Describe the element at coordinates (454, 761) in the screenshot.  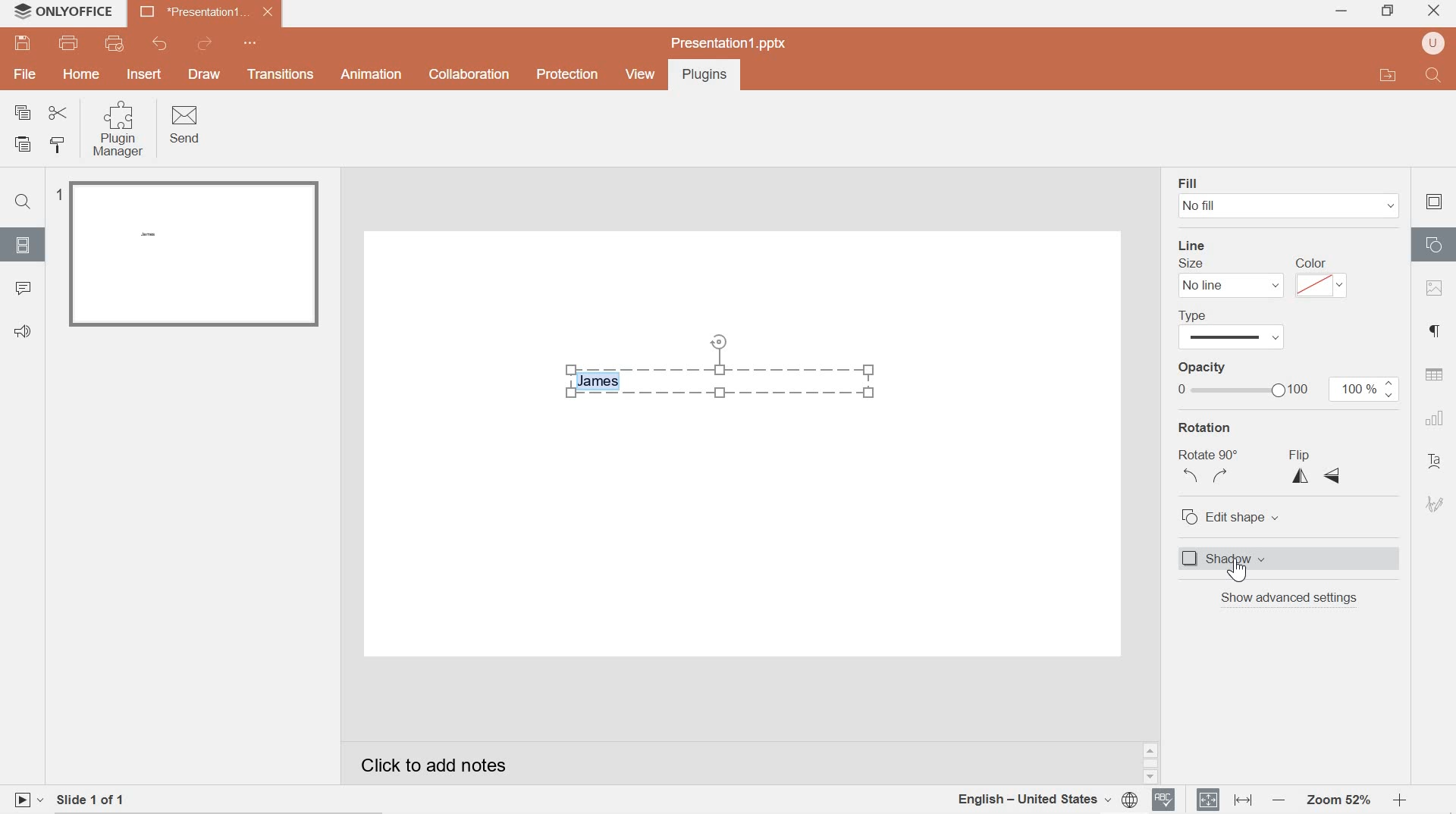
I see `Click to add notes` at that location.